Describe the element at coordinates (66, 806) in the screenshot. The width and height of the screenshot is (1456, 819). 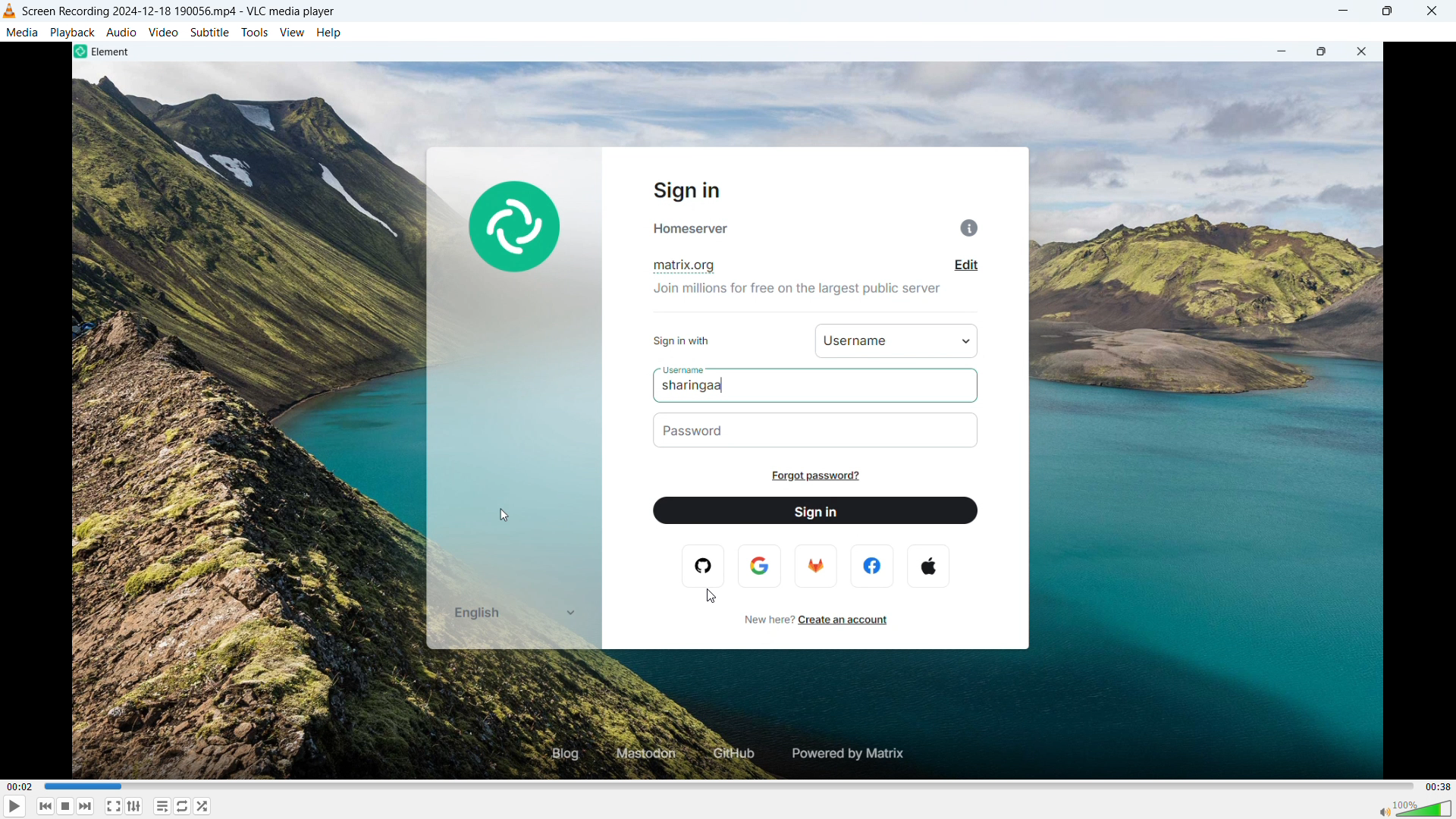
I see `stop playback` at that location.